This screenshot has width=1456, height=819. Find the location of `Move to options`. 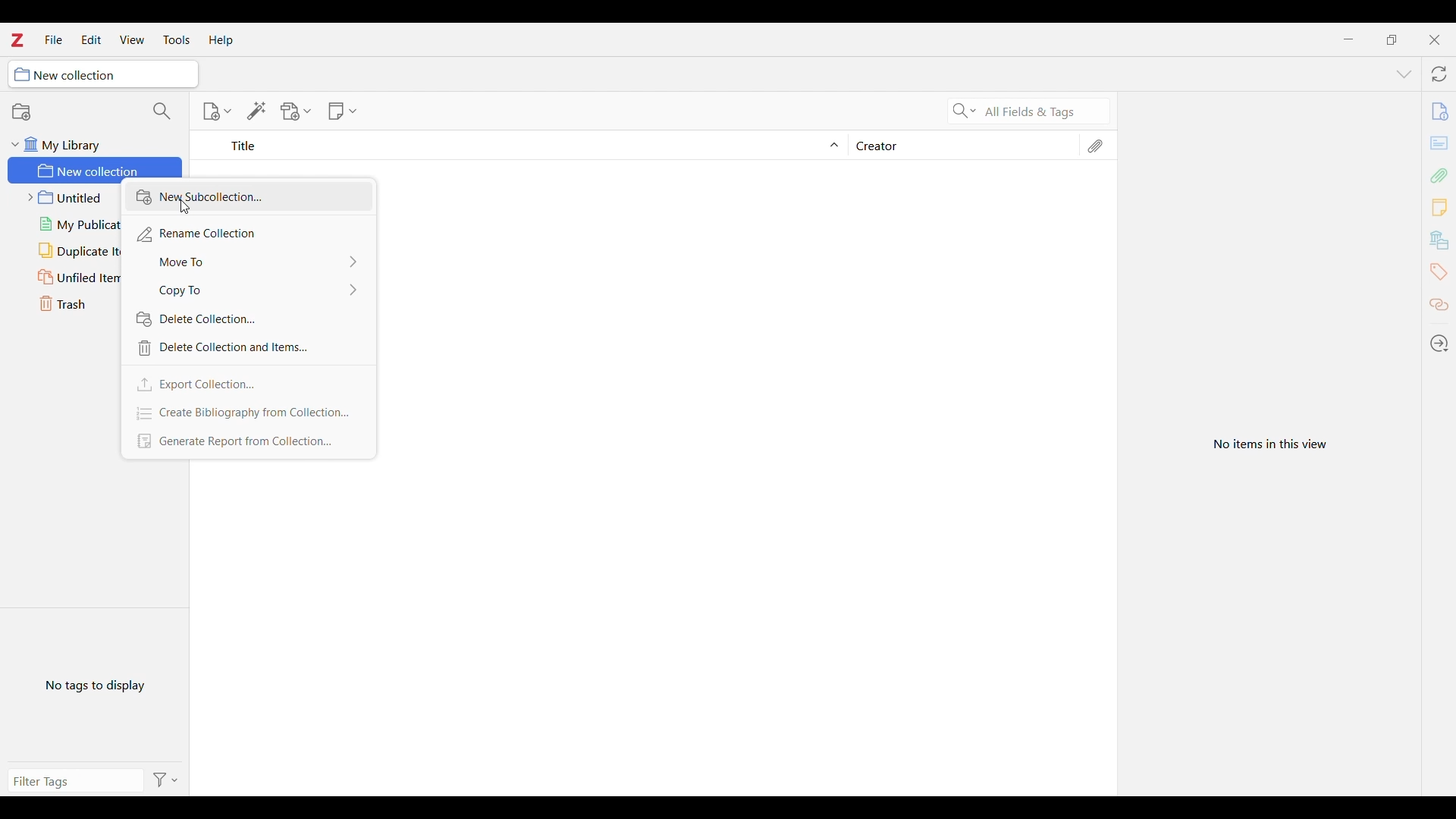

Move to options is located at coordinates (253, 261).